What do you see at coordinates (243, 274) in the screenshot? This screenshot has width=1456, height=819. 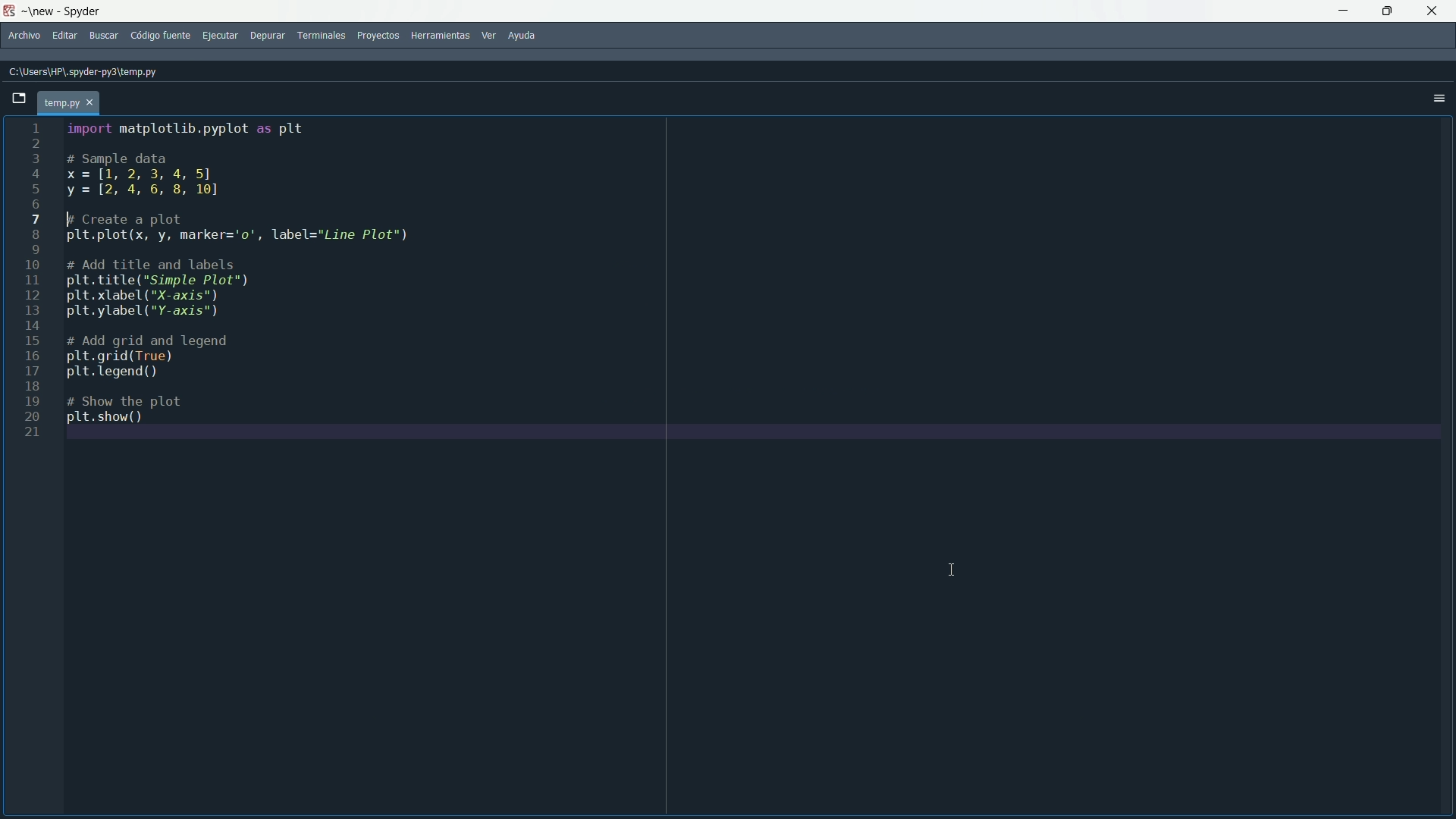 I see `code to create a line plot between x and y variables` at bounding box center [243, 274].